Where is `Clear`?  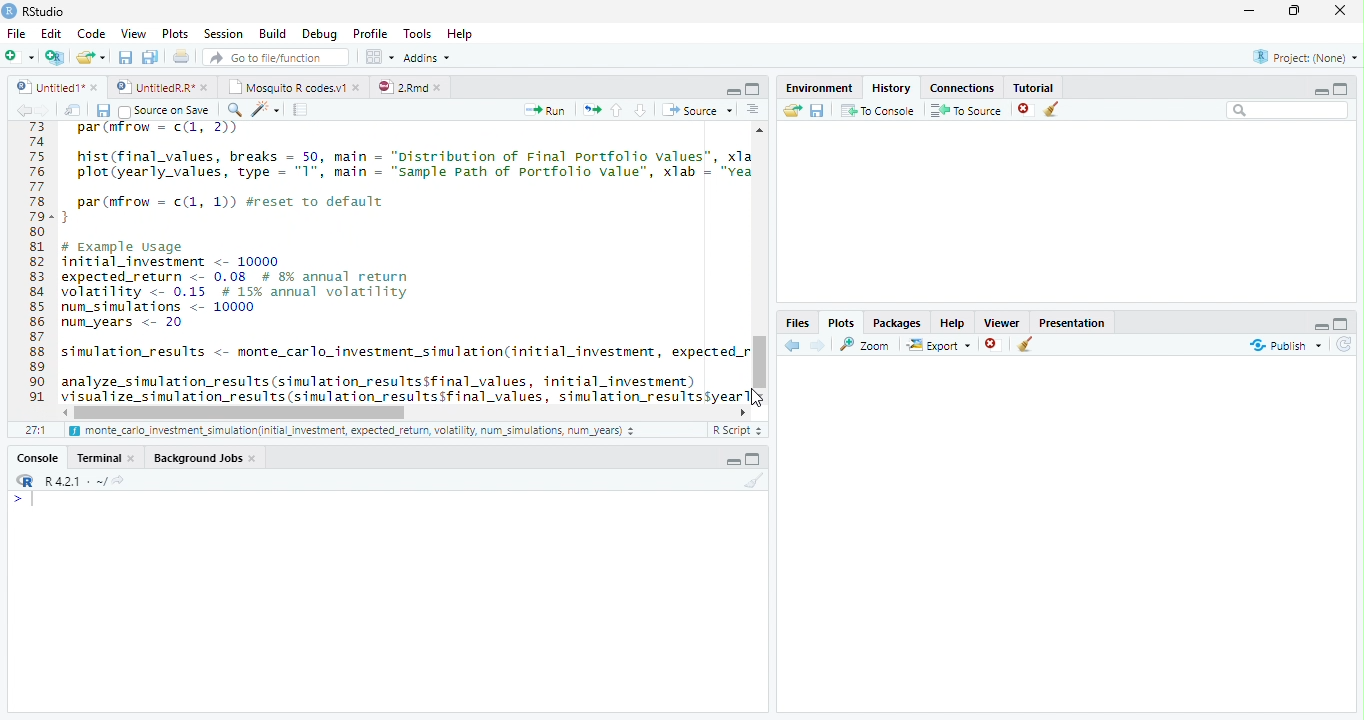
Clear is located at coordinates (751, 481).